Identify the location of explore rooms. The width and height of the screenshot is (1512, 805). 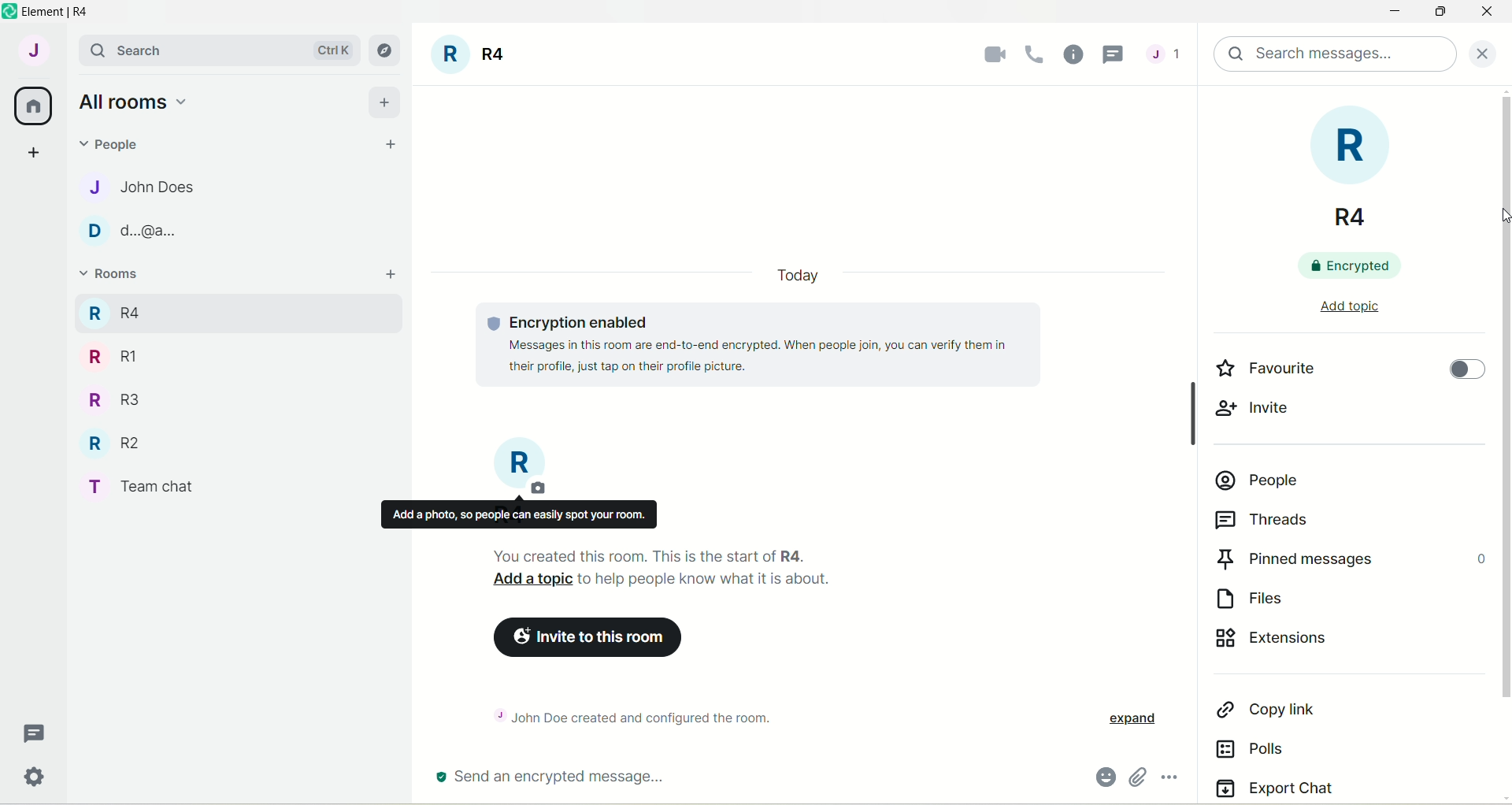
(386, 50).